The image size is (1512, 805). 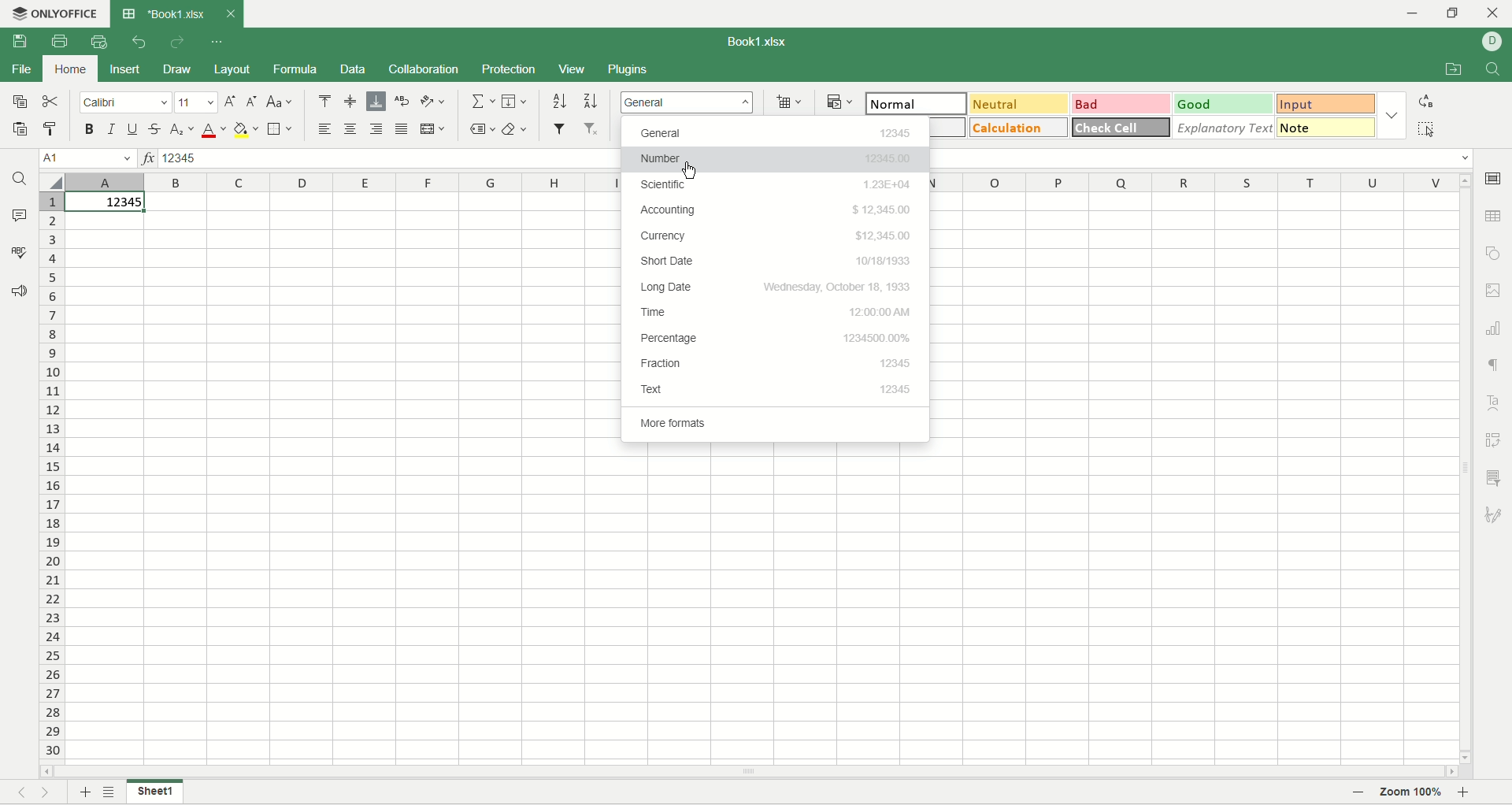 What do you see at coordinates (1494, 70) in the screenshot?
I see `find` at bounding box center [1494, 70].